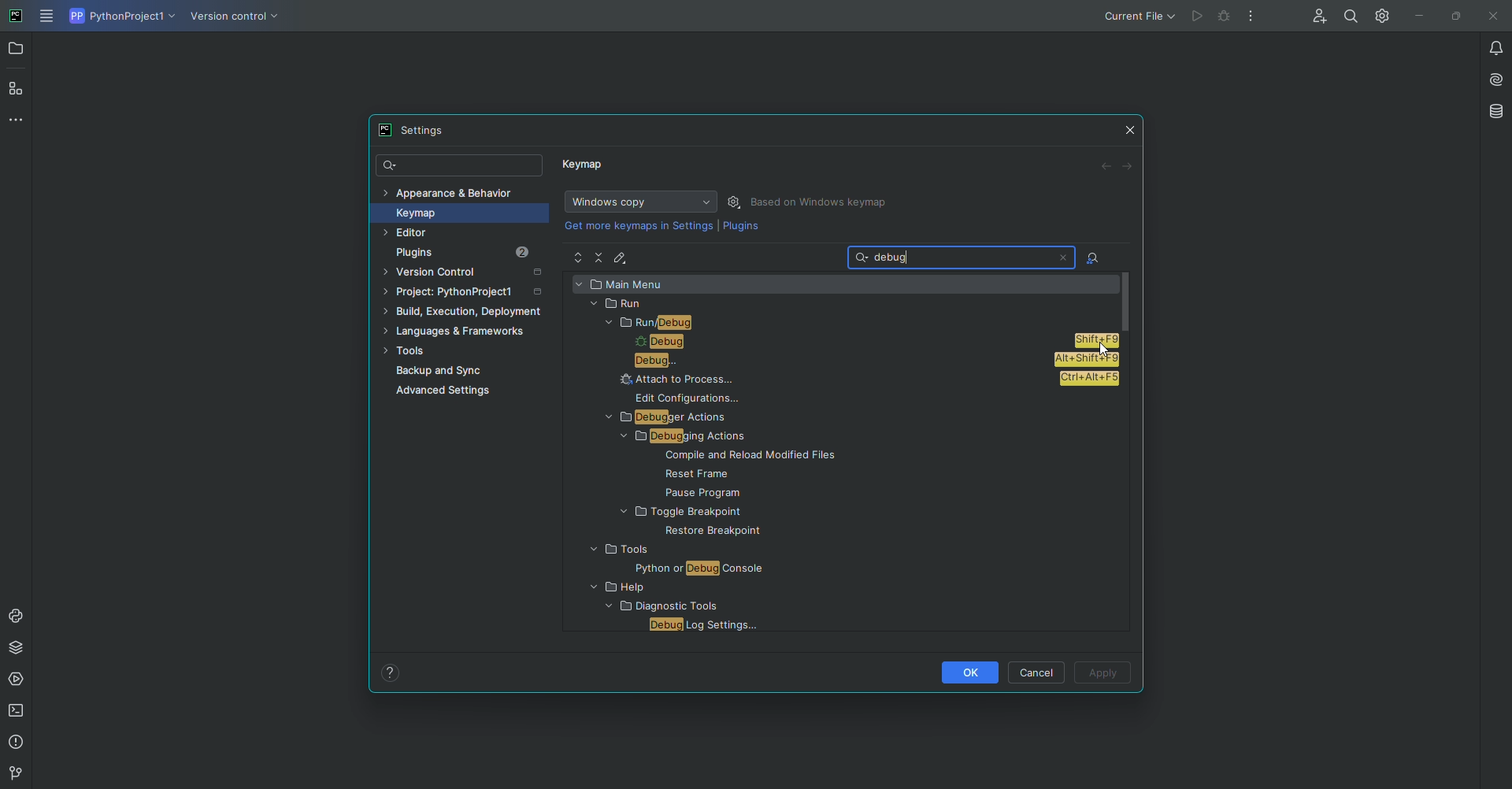  What do you see at coordinates (1491, 78) in the screenshot?
I see `AI` at bounding box center [1491, 78].